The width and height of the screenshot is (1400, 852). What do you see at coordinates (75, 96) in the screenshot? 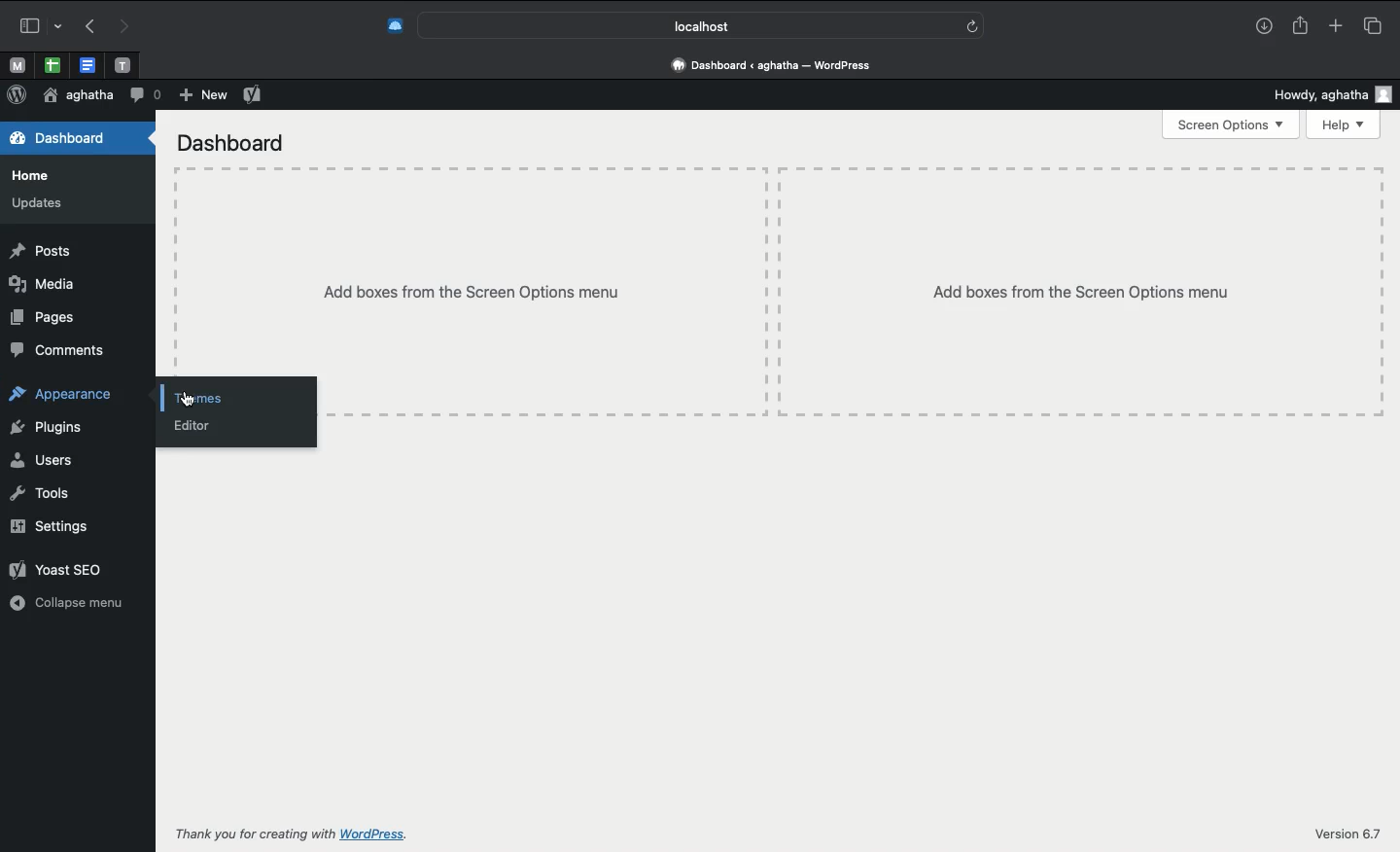
I see `User` at bounding box center [75, 96].